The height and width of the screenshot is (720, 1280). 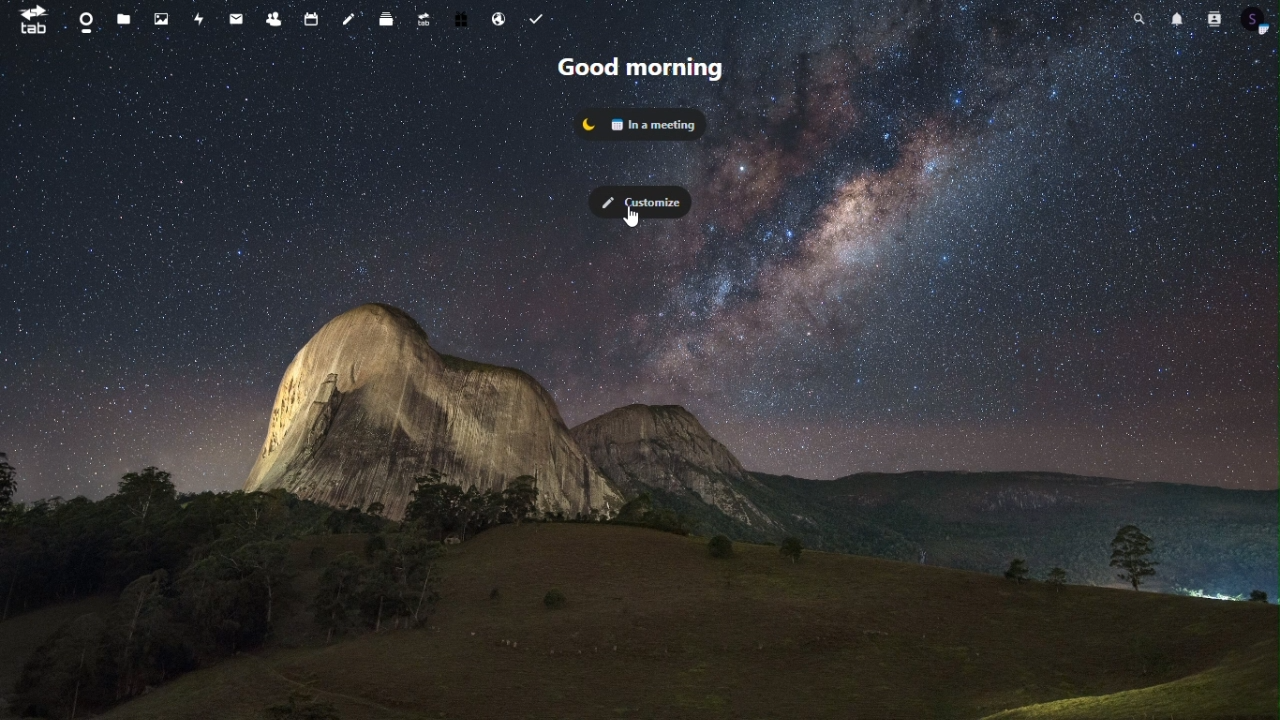 What do you see at coordinates (540, 19) in the screenshot?
I see `tasks` at bounding box center [540, 19].